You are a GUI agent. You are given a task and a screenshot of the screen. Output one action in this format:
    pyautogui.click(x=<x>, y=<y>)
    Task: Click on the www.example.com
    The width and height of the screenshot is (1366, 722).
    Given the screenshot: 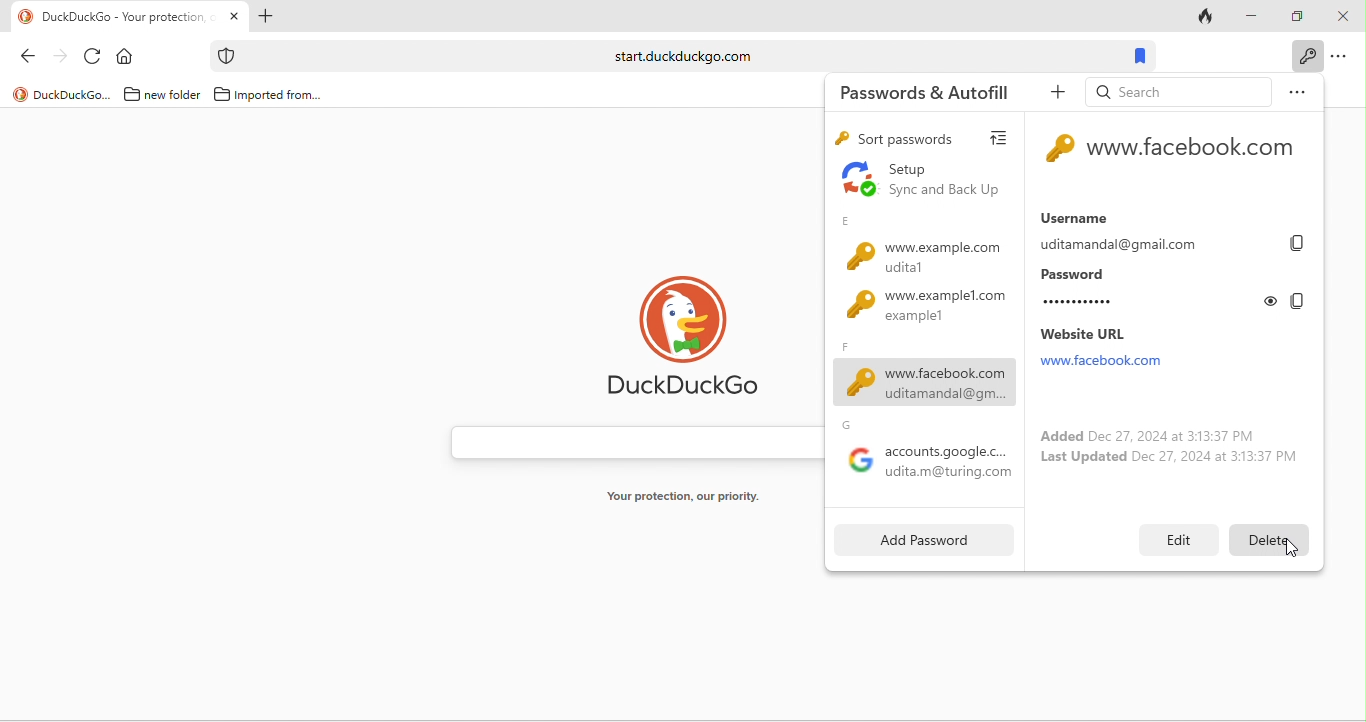 What is the action you would take?
    pyautogui.click(x=917, y=248)
    